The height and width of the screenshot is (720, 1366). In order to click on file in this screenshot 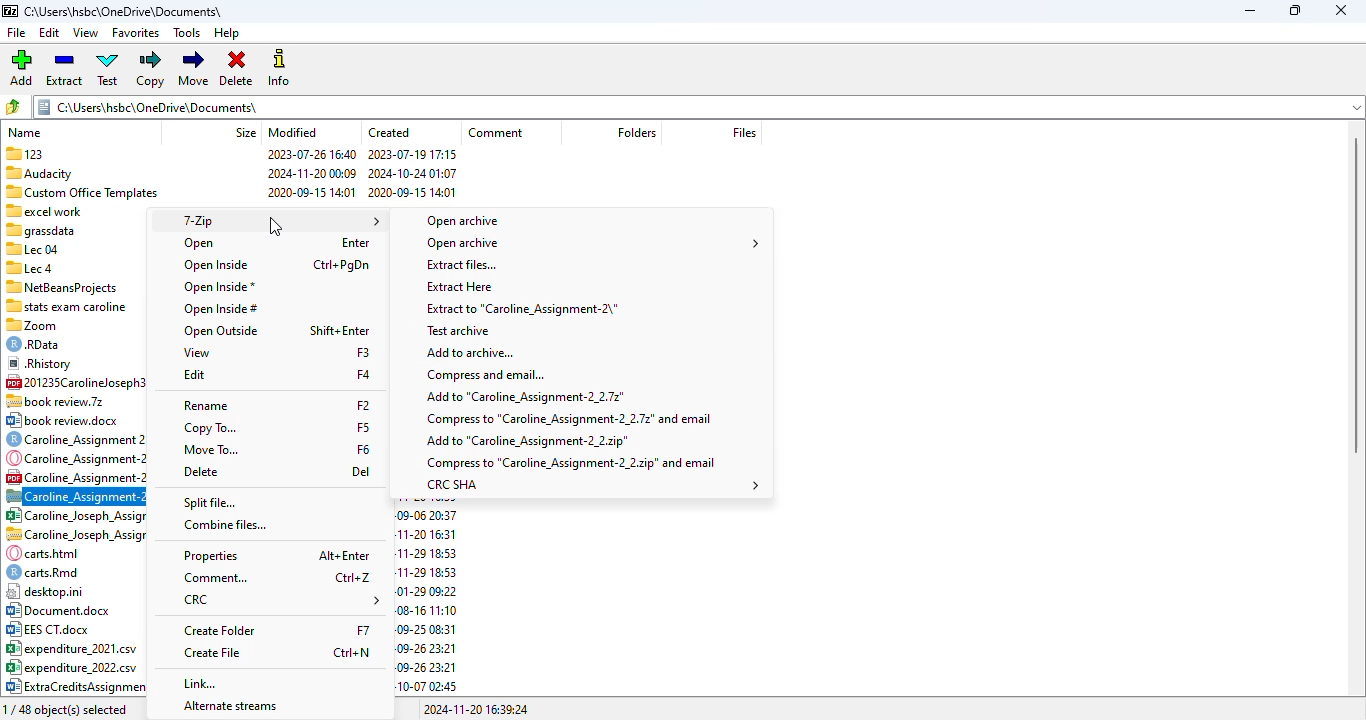, I will do `click(17, 32)`.